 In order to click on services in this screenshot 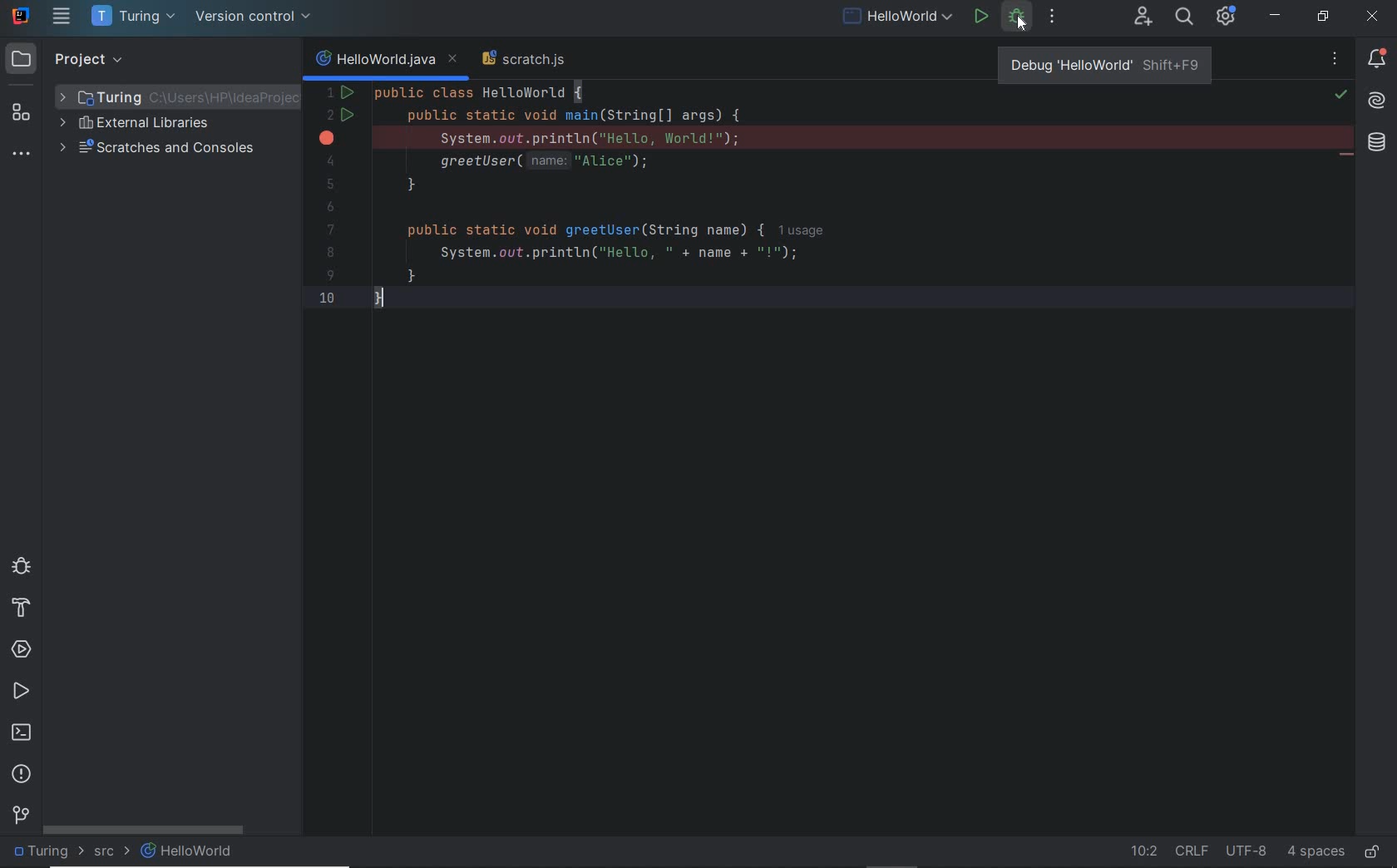, I will do `click(21, 649)`.